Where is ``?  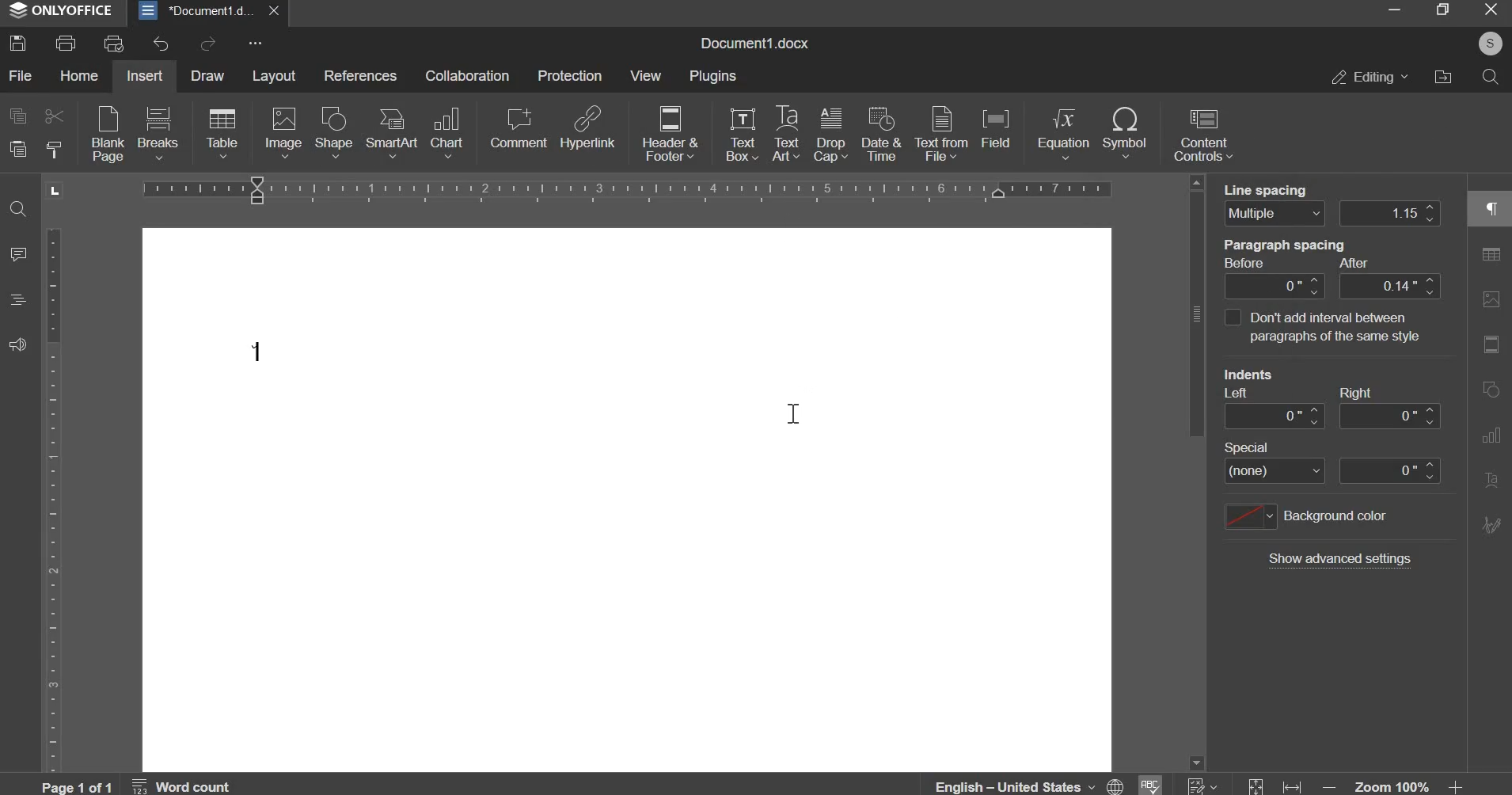  is located at coordinates (1282, 447).